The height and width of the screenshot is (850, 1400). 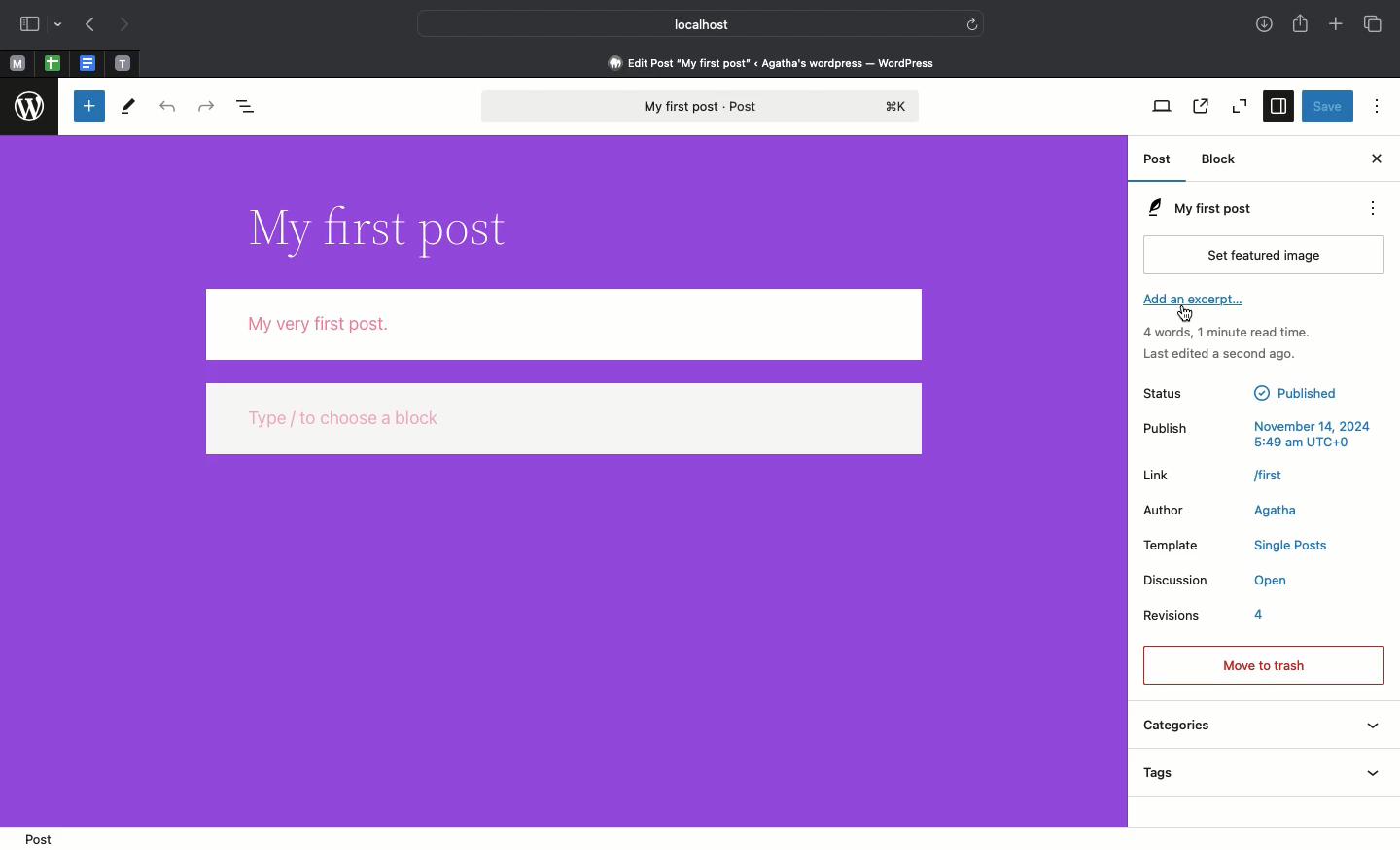 What do you see at coordinates (1197, 208) in the screenshot?
I see `My first post` at bounding box center [1197, 208].